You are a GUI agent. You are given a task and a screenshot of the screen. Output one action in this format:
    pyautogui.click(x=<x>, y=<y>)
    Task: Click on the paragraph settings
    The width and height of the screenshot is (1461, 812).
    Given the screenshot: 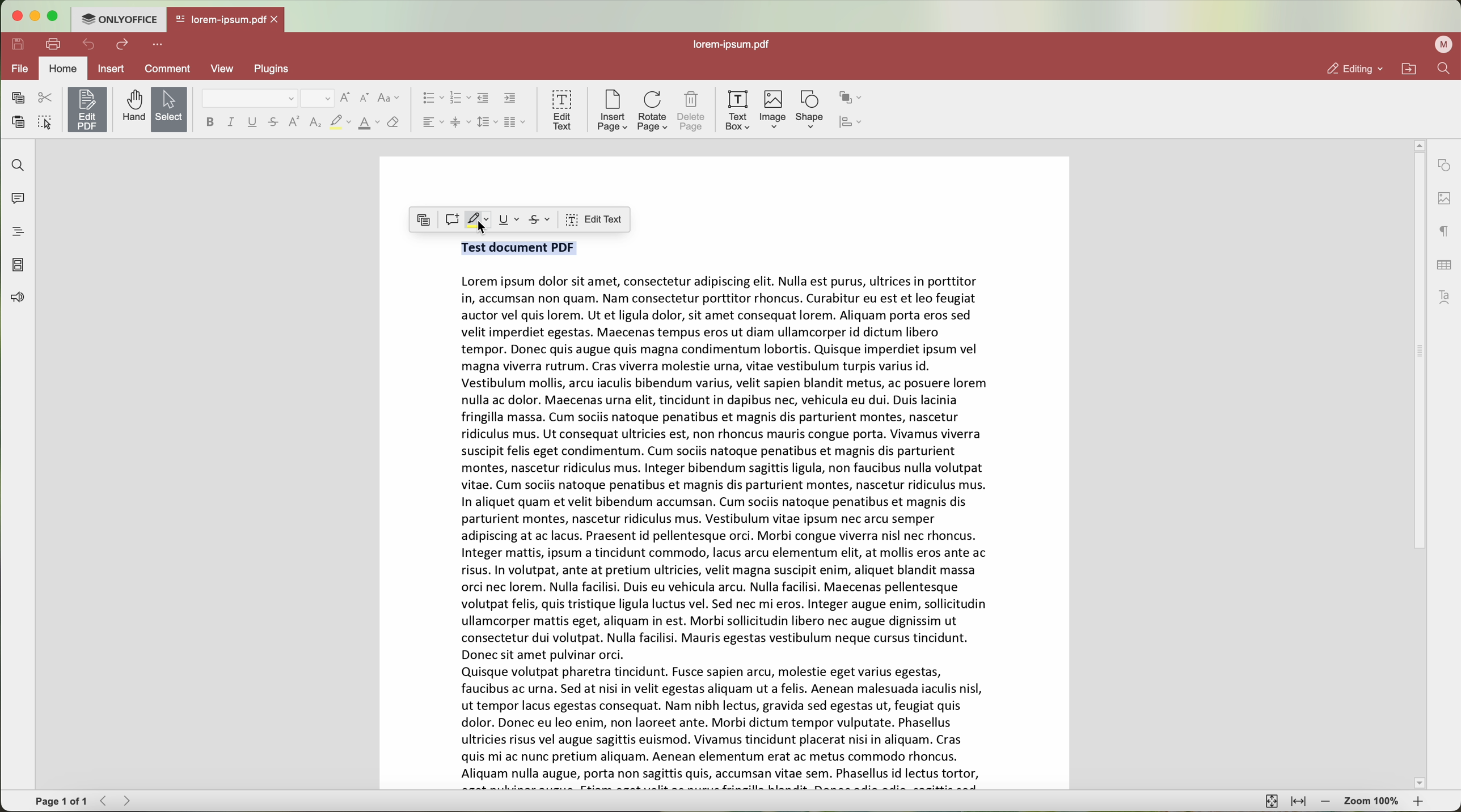 What is the action you would take?
    pyautogui.click(x=1443, y=234)
    